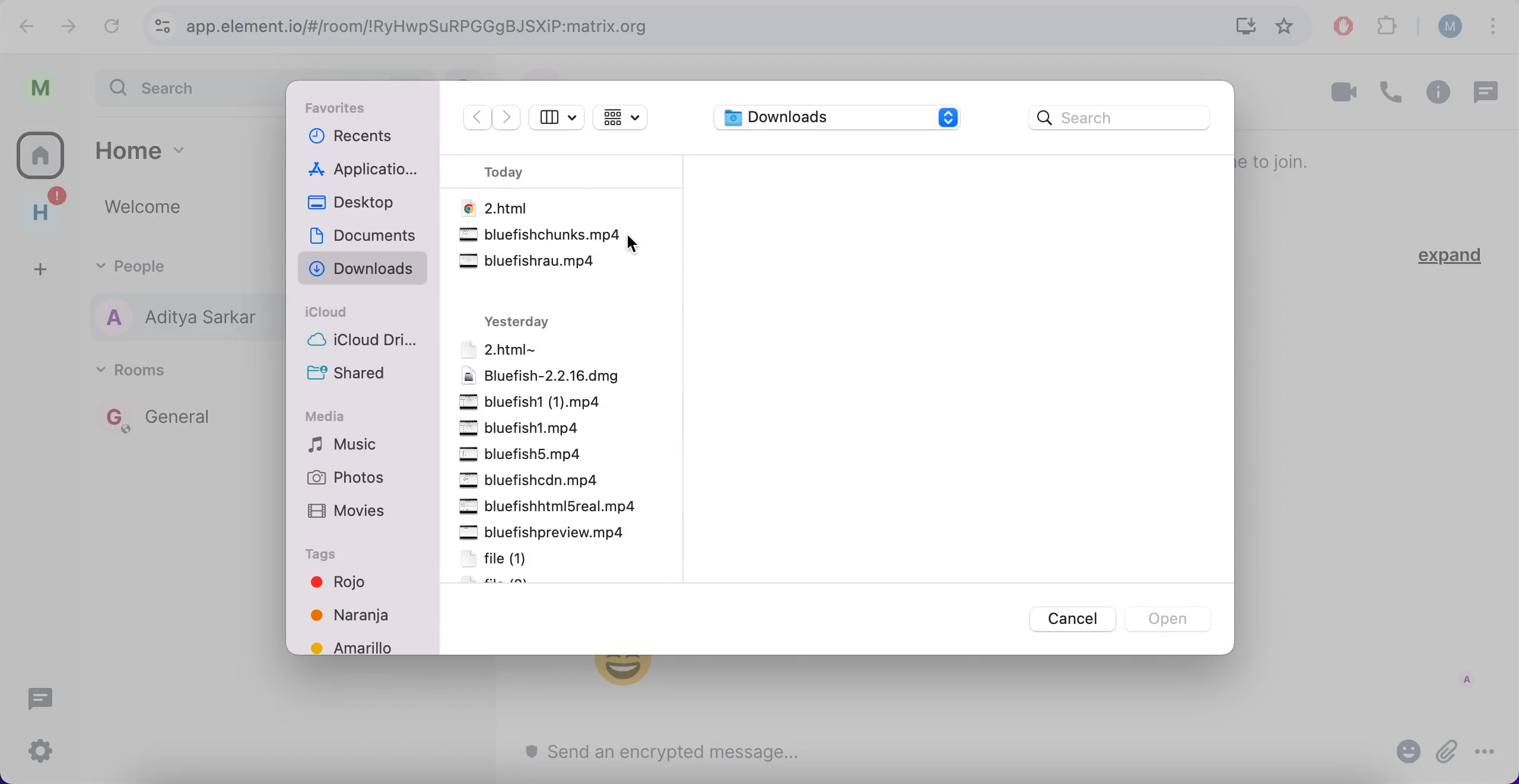 This screenshot has height=784, width=1519. Describe the element at coordinates (360, 202) in the screenshot. I see `desktop` at that location.